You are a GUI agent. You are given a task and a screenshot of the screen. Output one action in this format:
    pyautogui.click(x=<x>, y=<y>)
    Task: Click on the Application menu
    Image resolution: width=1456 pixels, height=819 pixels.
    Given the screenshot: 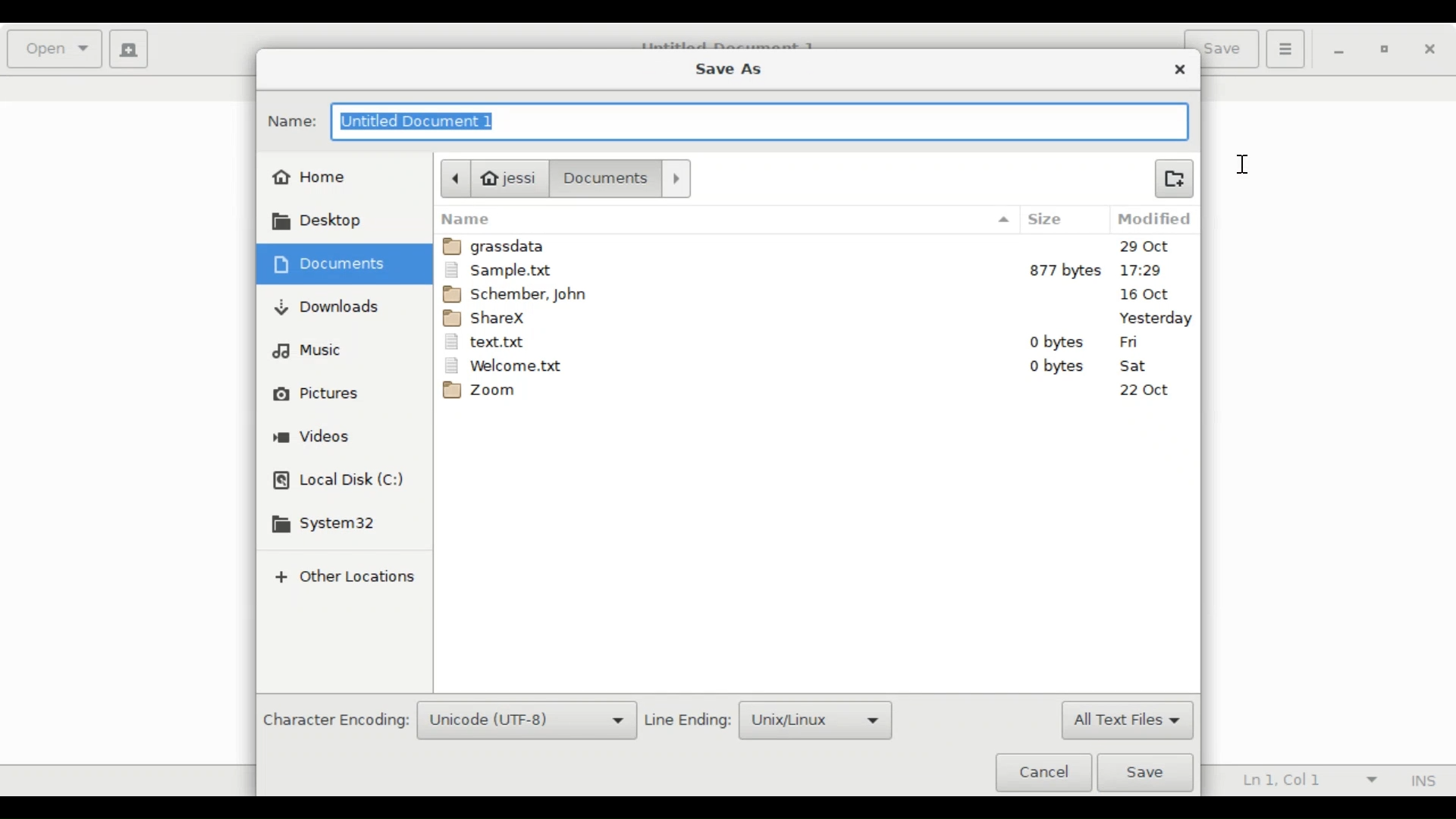 What is the action you would take?
    pyautogui.click(x=1285, y=48)
    